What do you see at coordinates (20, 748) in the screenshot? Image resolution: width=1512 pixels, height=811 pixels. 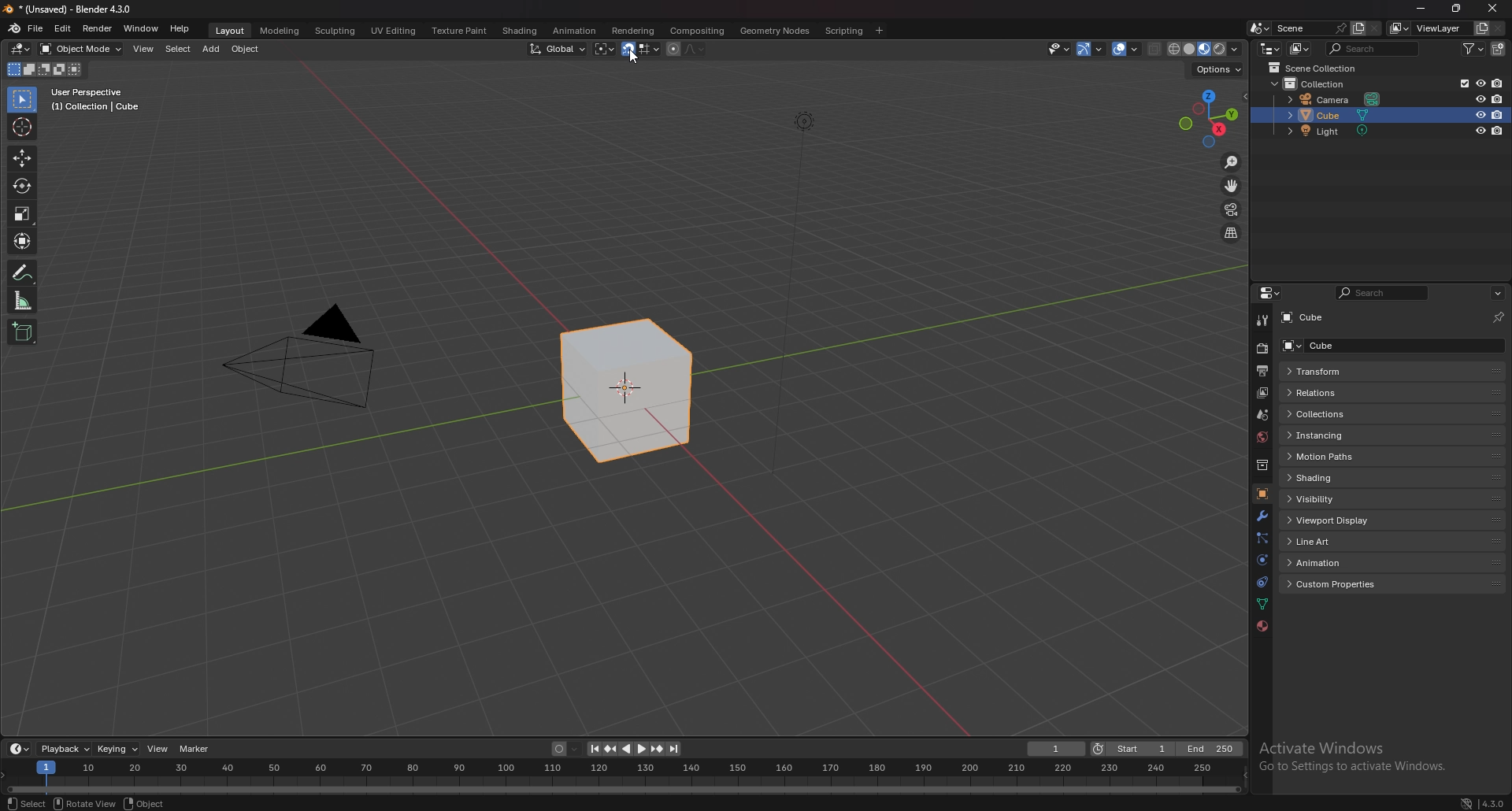 I see `editor type` at bounding box center [20, 748].